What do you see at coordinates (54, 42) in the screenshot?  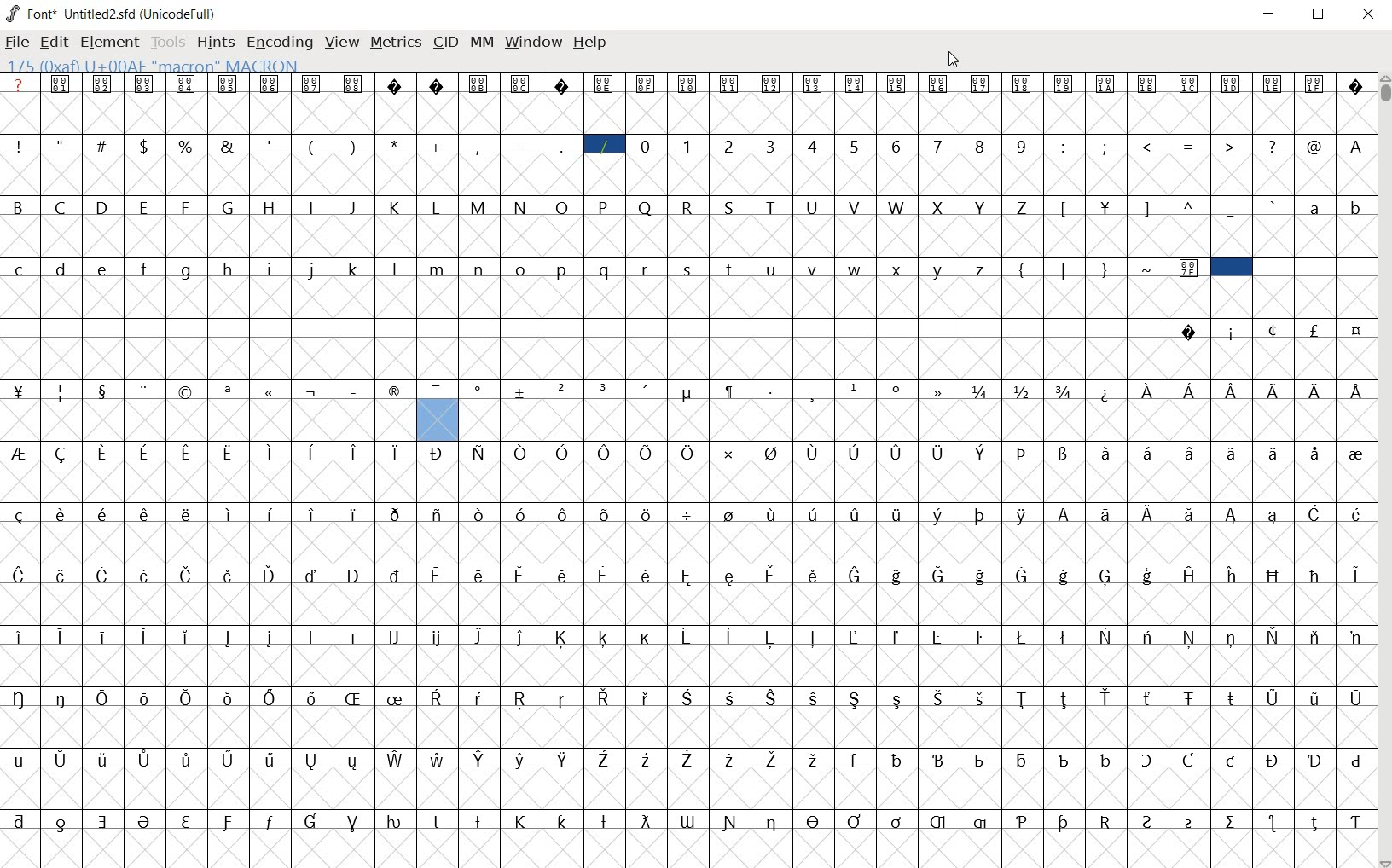 I see `edit` at bounding box center [54, 42].